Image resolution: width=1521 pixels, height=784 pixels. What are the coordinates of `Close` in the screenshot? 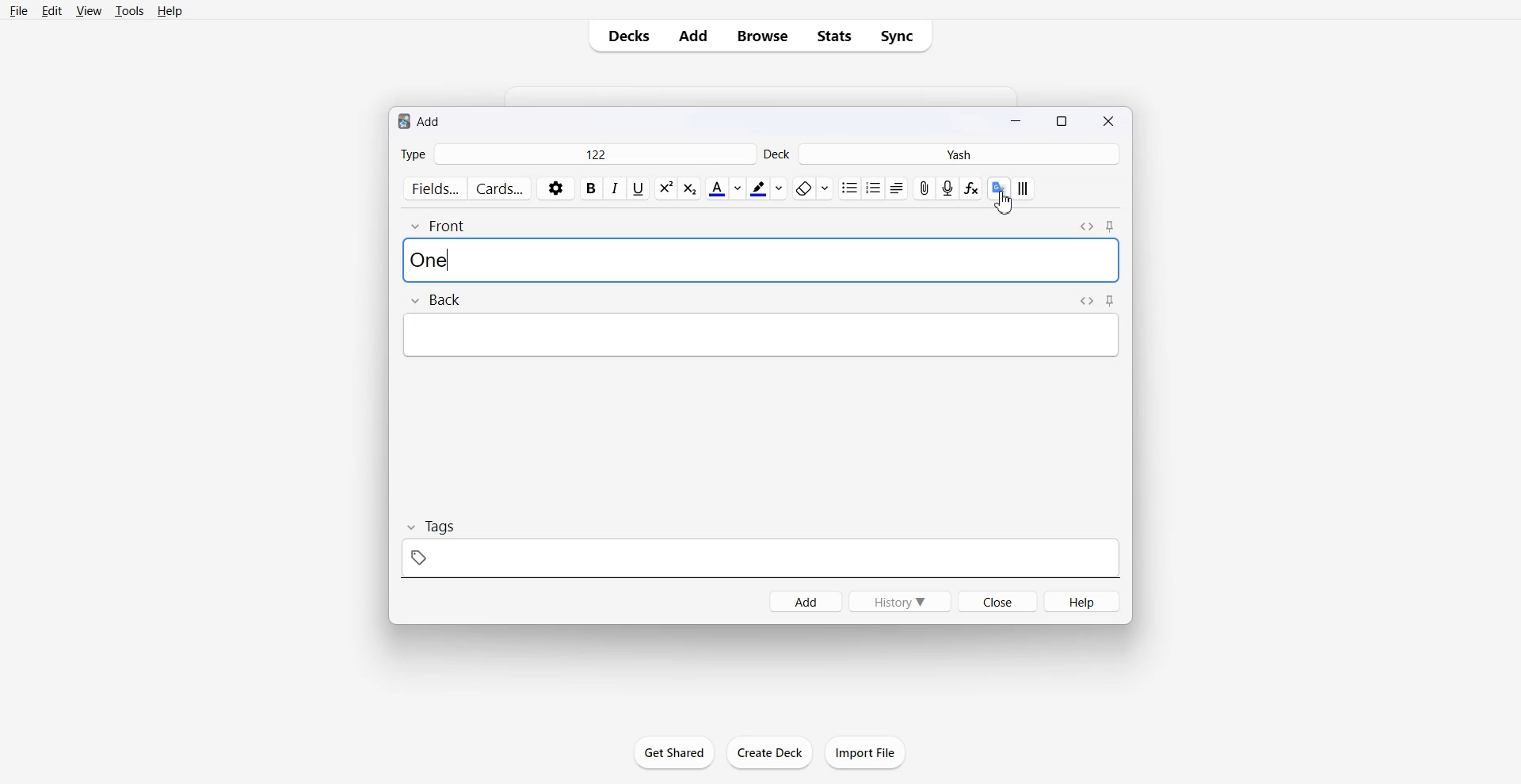 It's located at (1107, 120).